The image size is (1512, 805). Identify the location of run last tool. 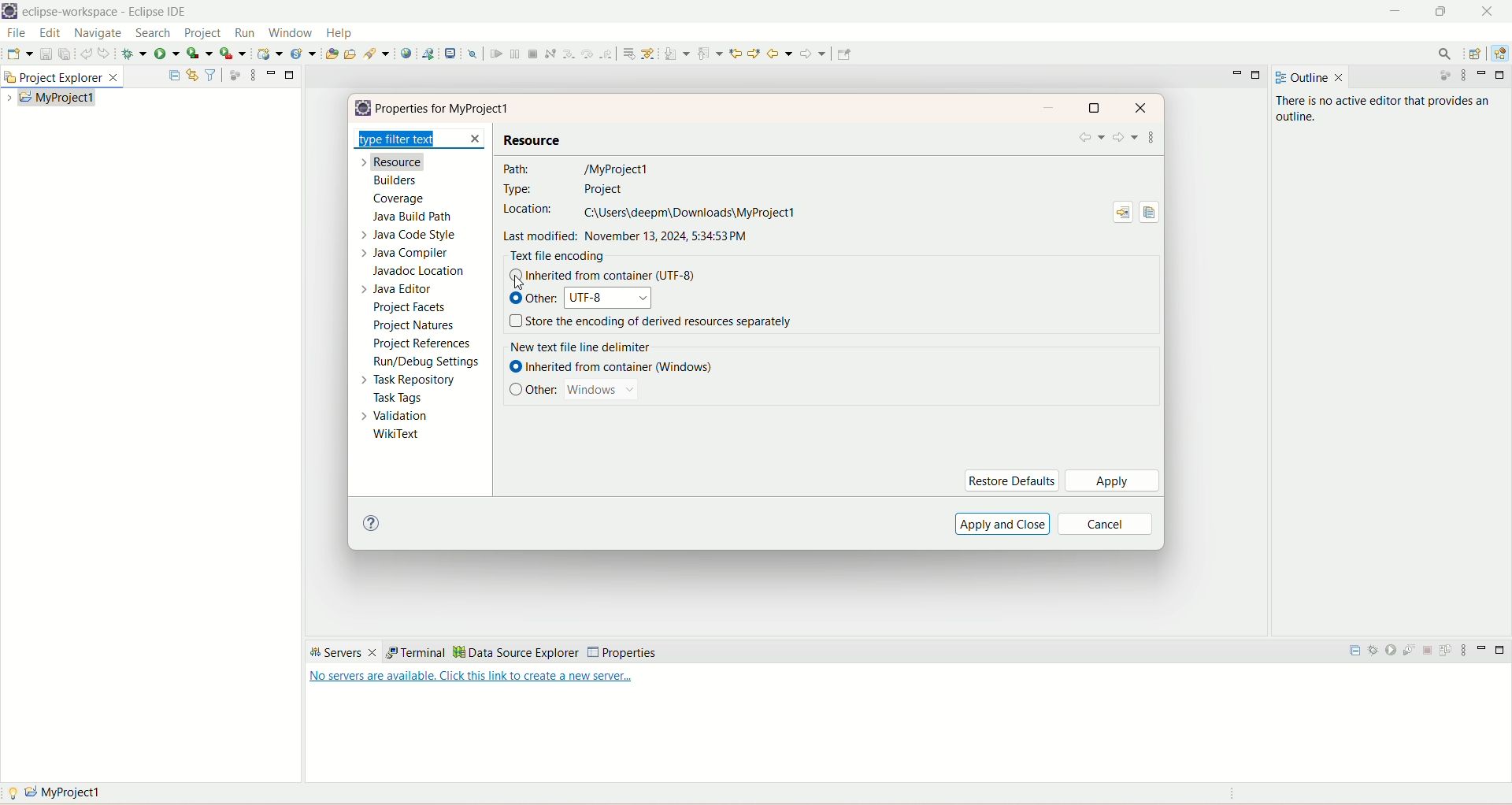
(235, 54).